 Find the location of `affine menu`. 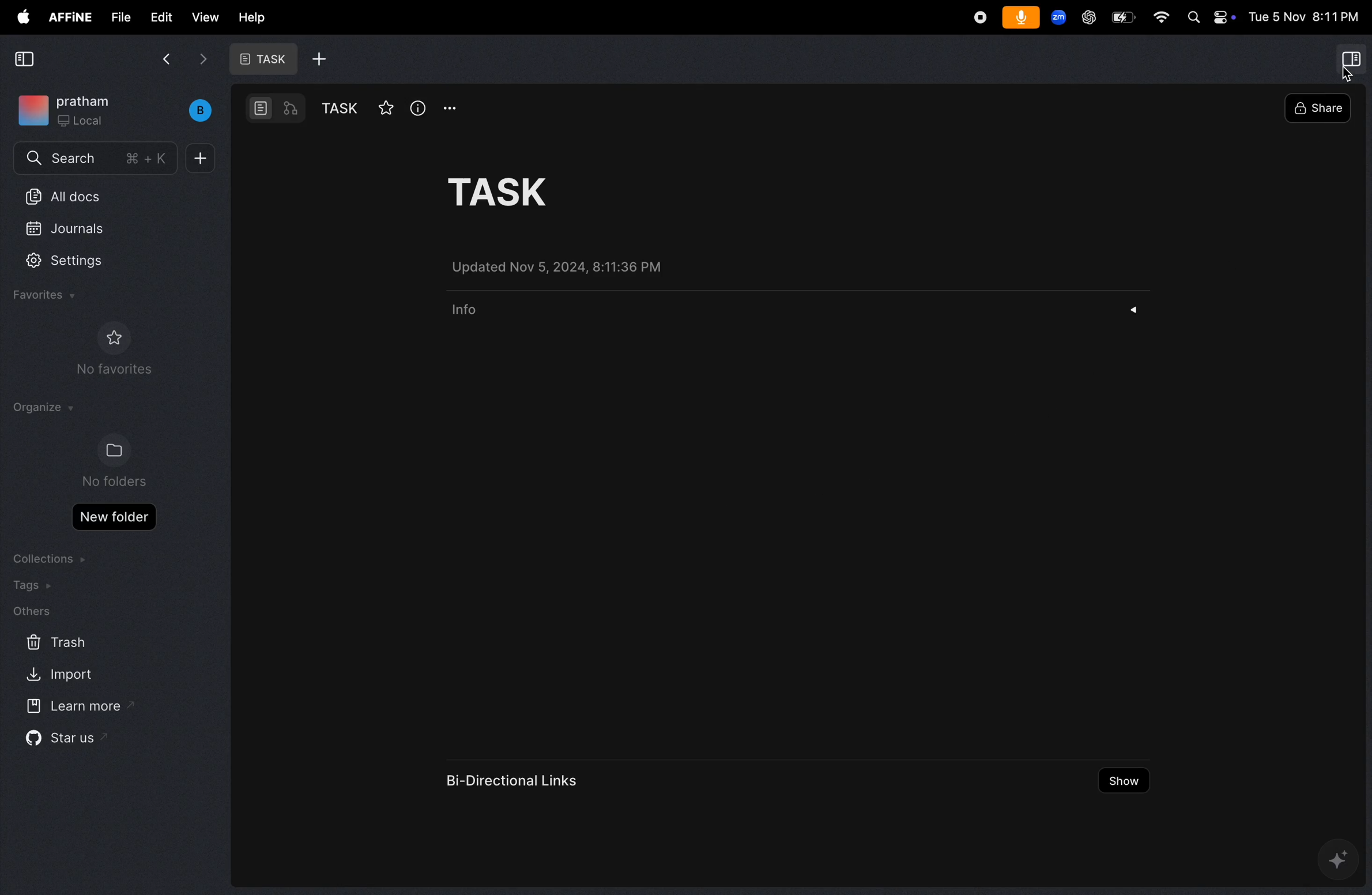

affine menu is located at coordinates (69, 17).